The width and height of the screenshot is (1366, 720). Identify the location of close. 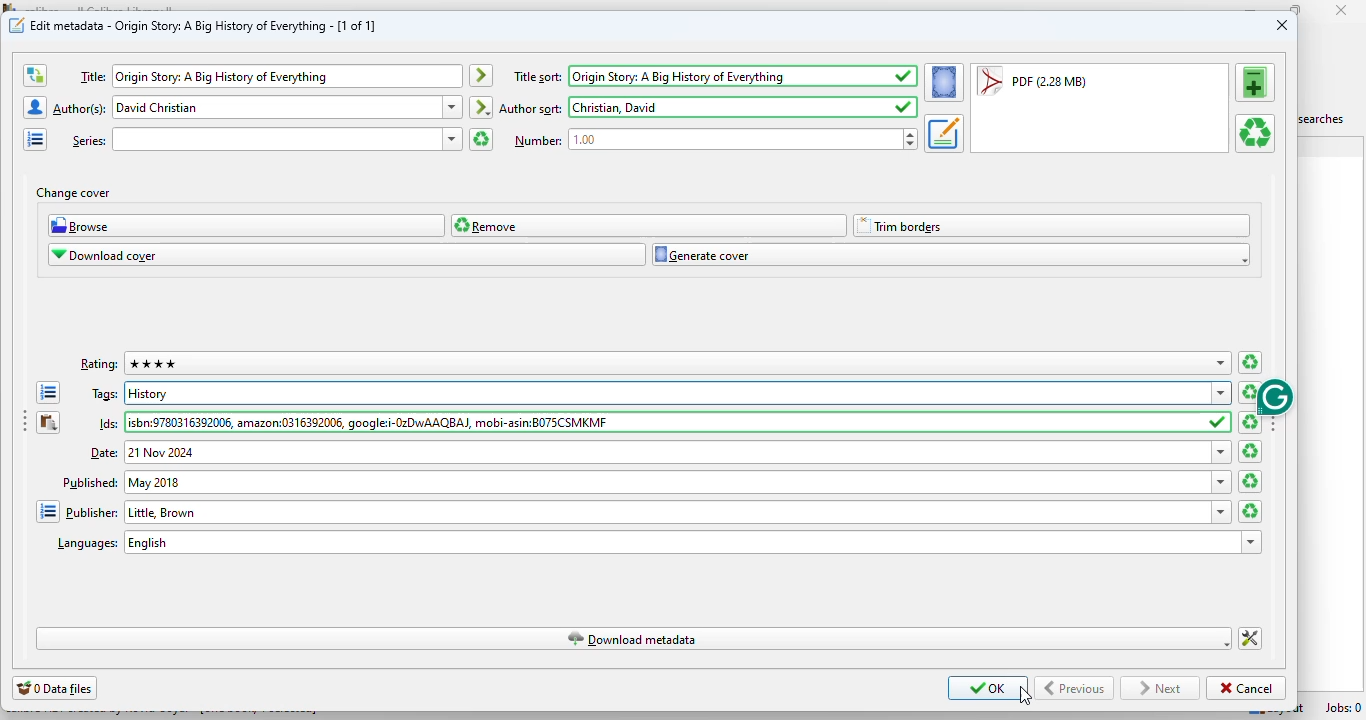
(1342, 10).